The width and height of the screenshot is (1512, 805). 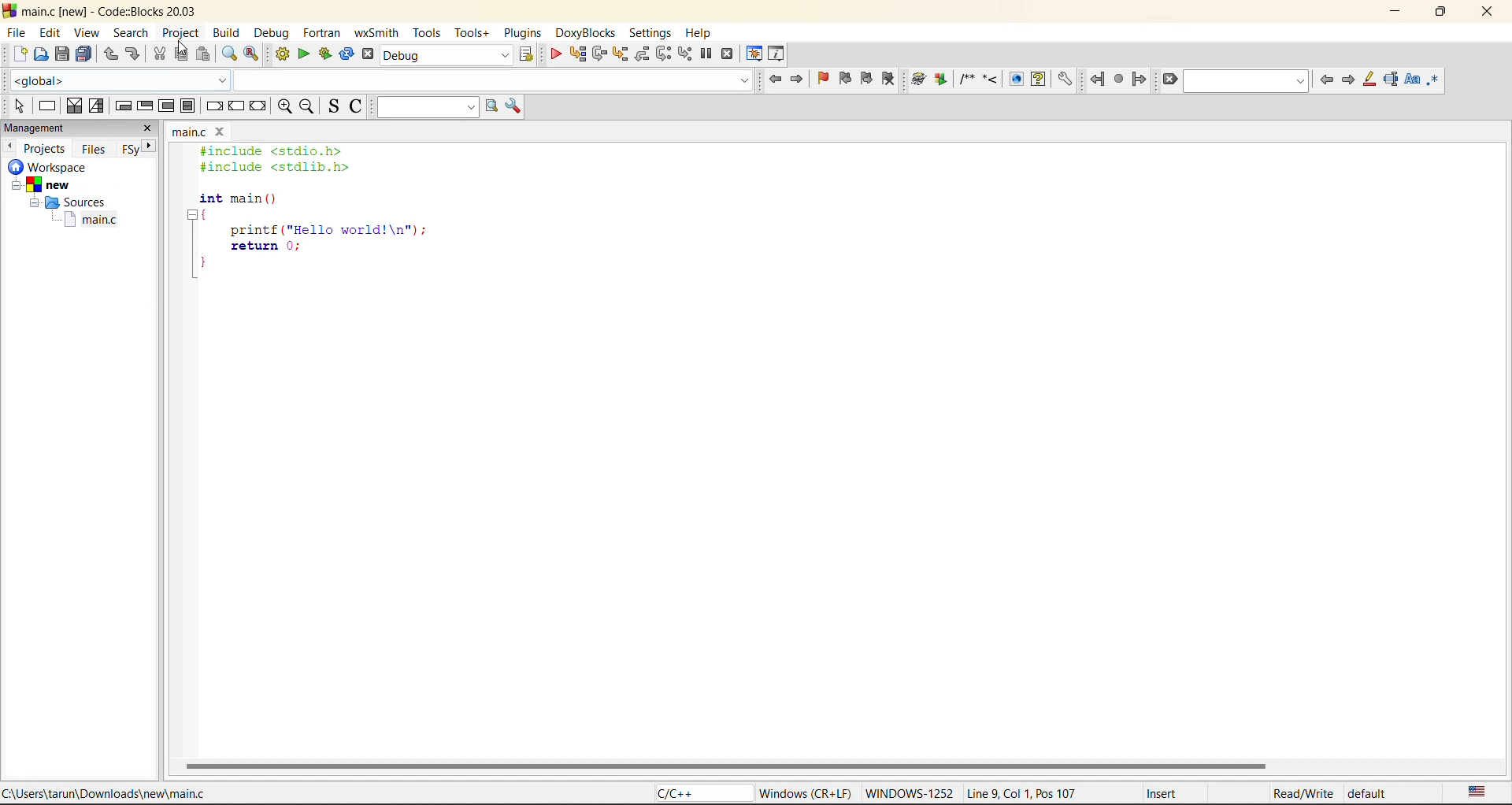 What do you see at coordinates (1038, 78) in the screenshot?
I see `View generated HTML Help documentation` at bounding box center [1038, 78].